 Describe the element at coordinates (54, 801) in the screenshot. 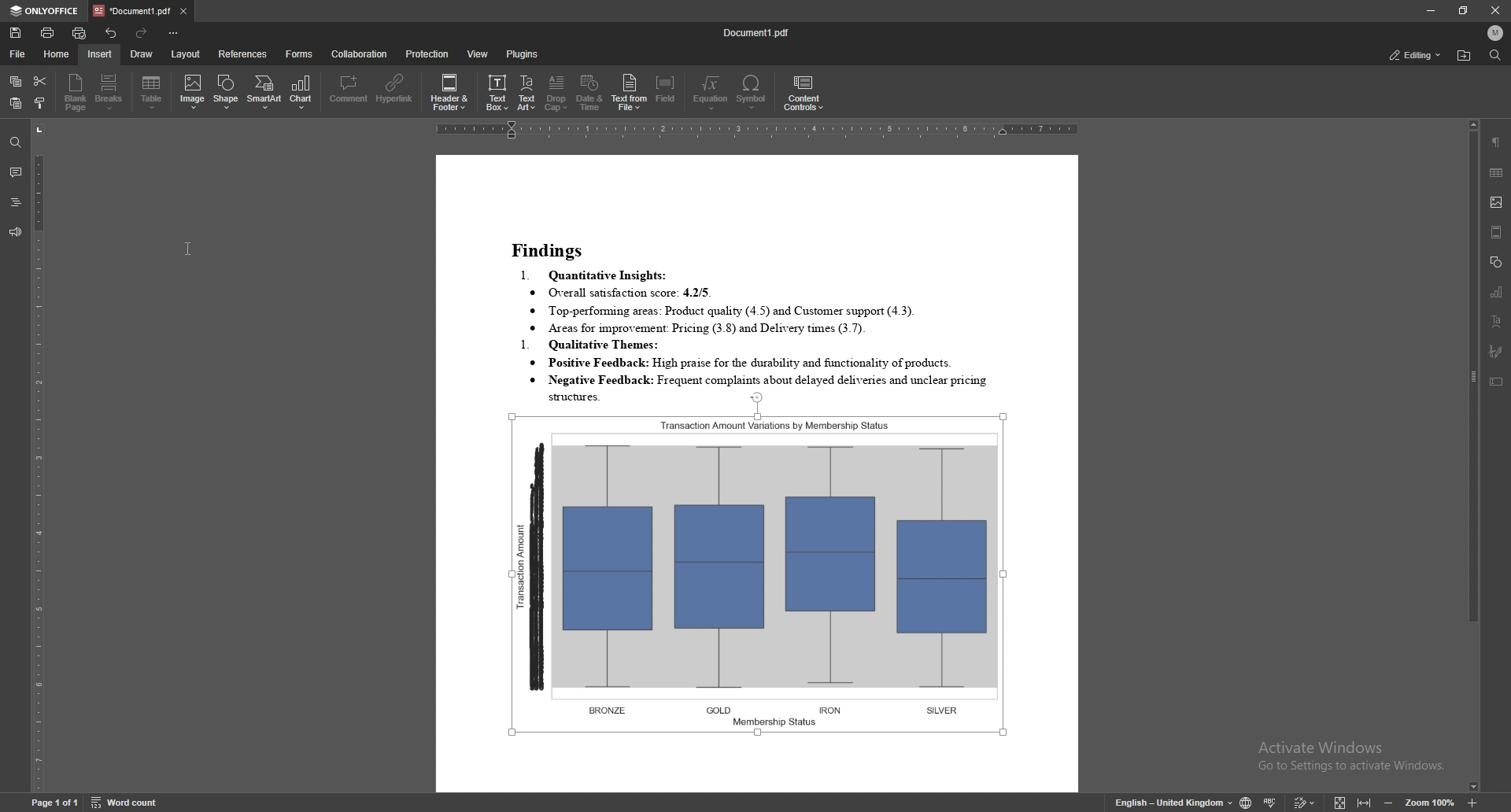

I see `page` at that location.